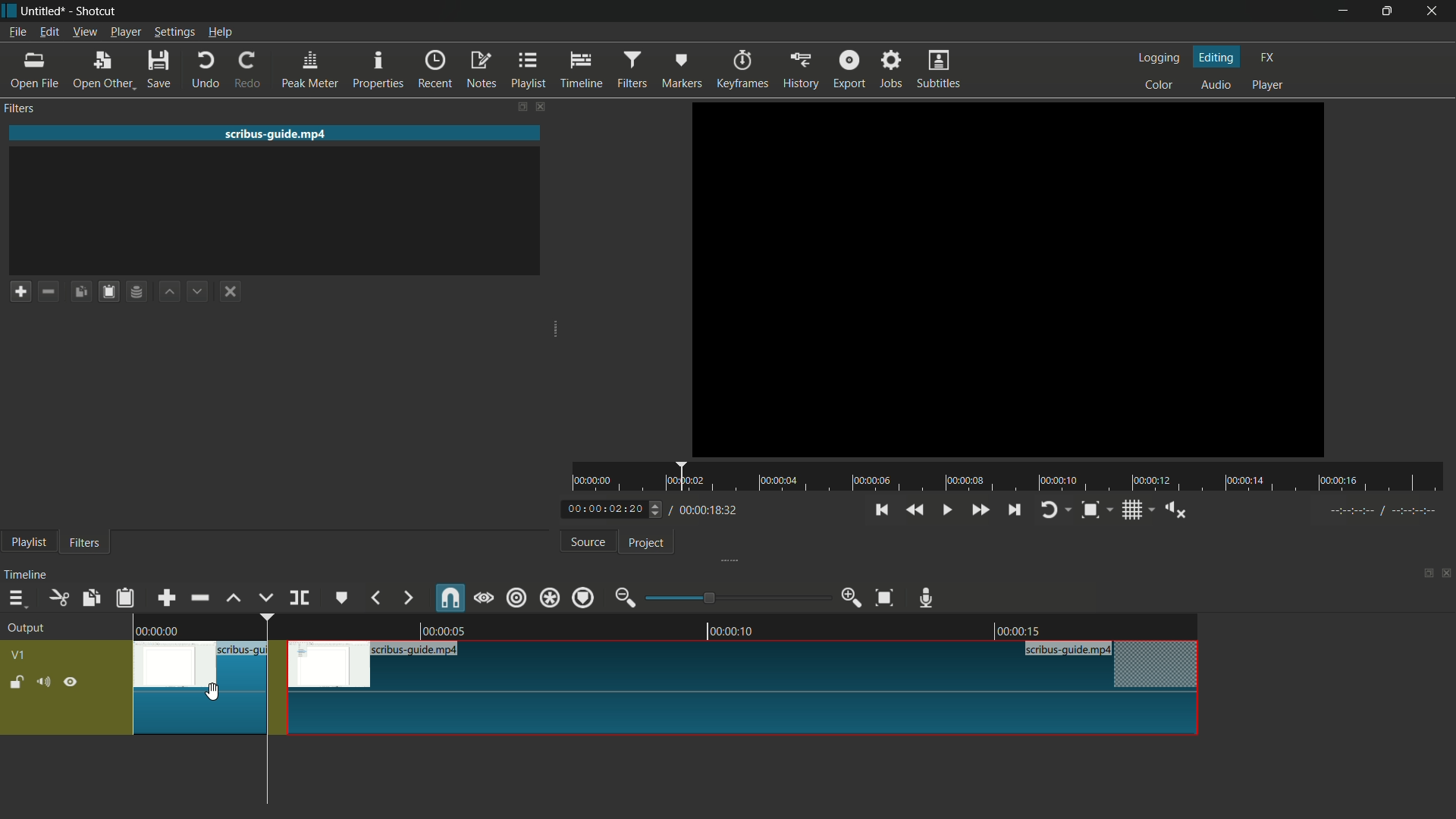 Image resolution: width=1456 pixels, height=819 pixels. Describe the element at coordinates (26, 629) in the screenshot. I see `output` at that location.